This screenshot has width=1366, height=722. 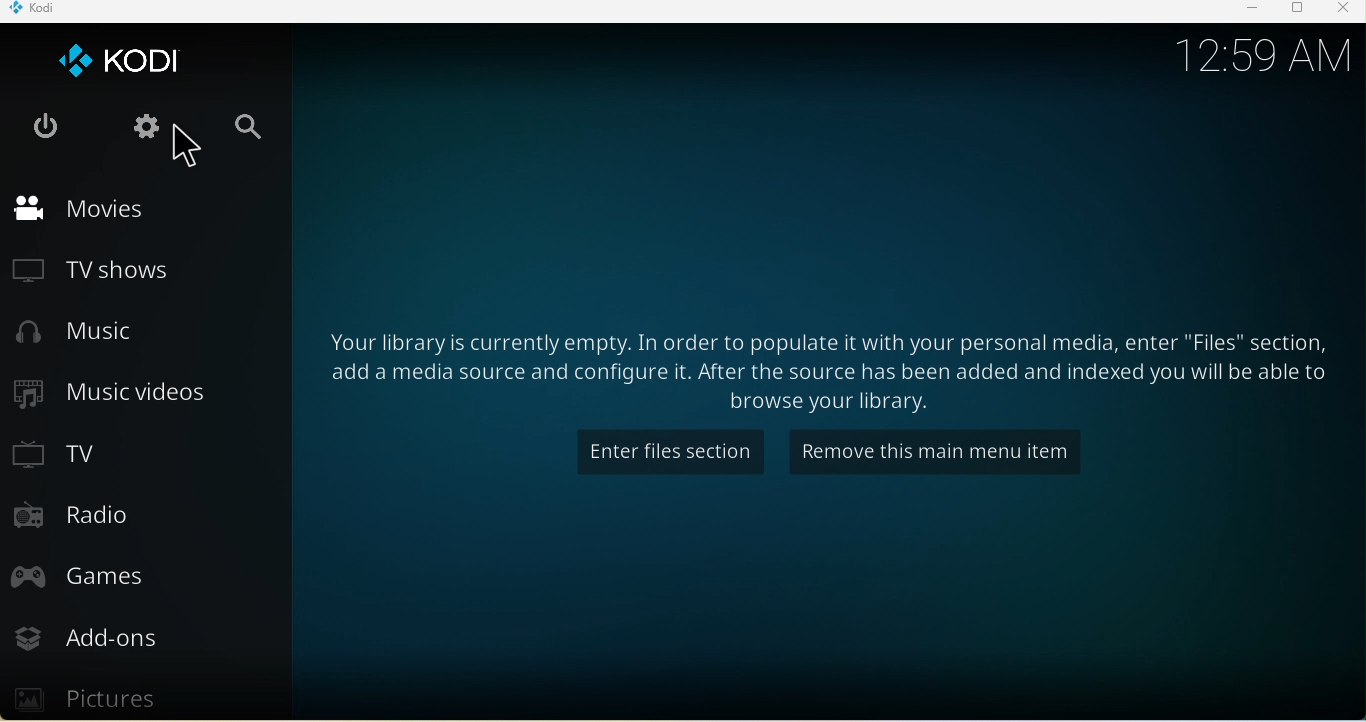 I want to click on Movies, so click(x=82, y=206).